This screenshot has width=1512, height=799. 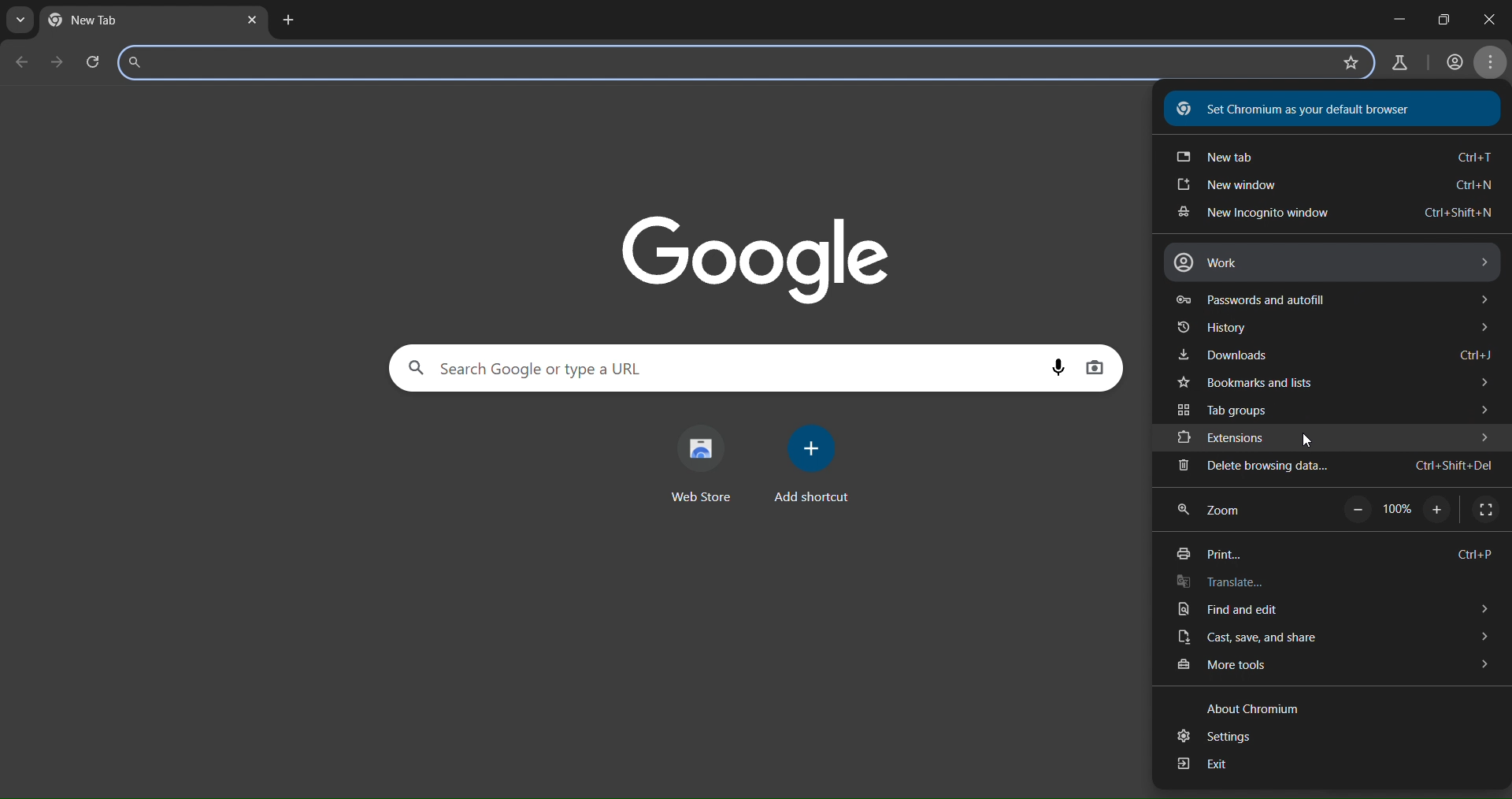 What do you see at coordinates (1100, 370) in the screenshot?
I see `imagesearch` at bounding box center [1100, 370].